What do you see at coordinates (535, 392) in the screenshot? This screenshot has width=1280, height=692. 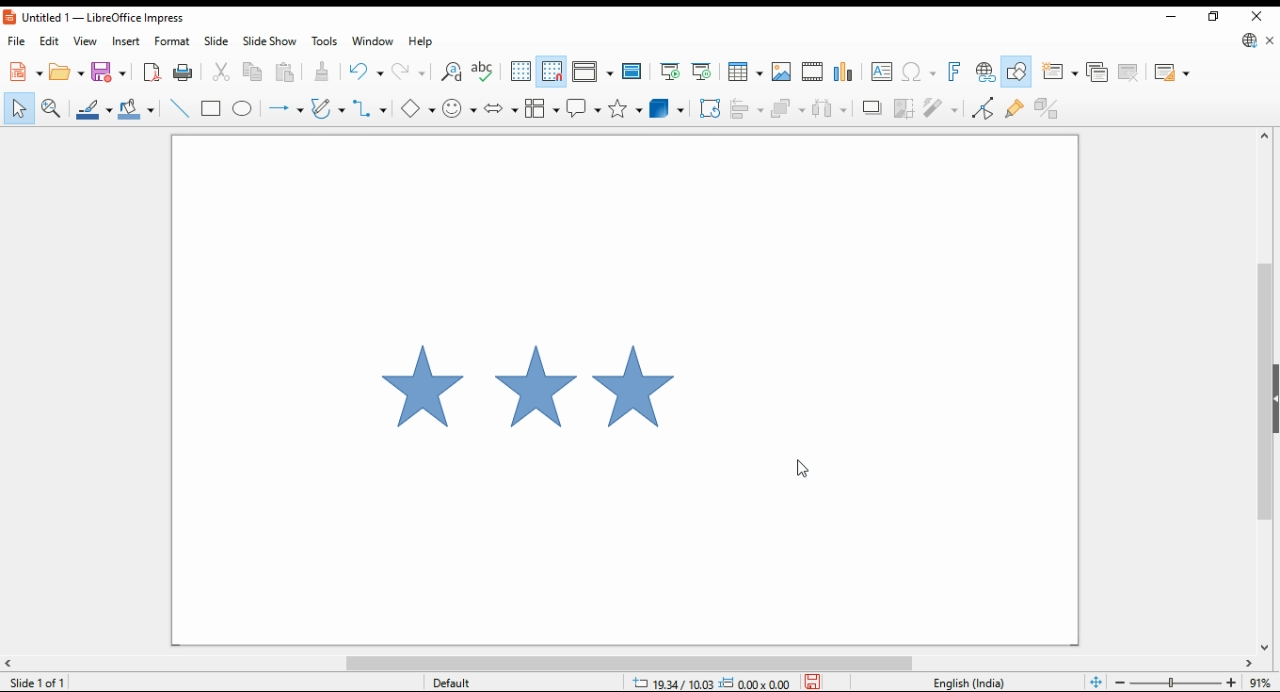 I see `shape 2` at bounding box center [535, 392].